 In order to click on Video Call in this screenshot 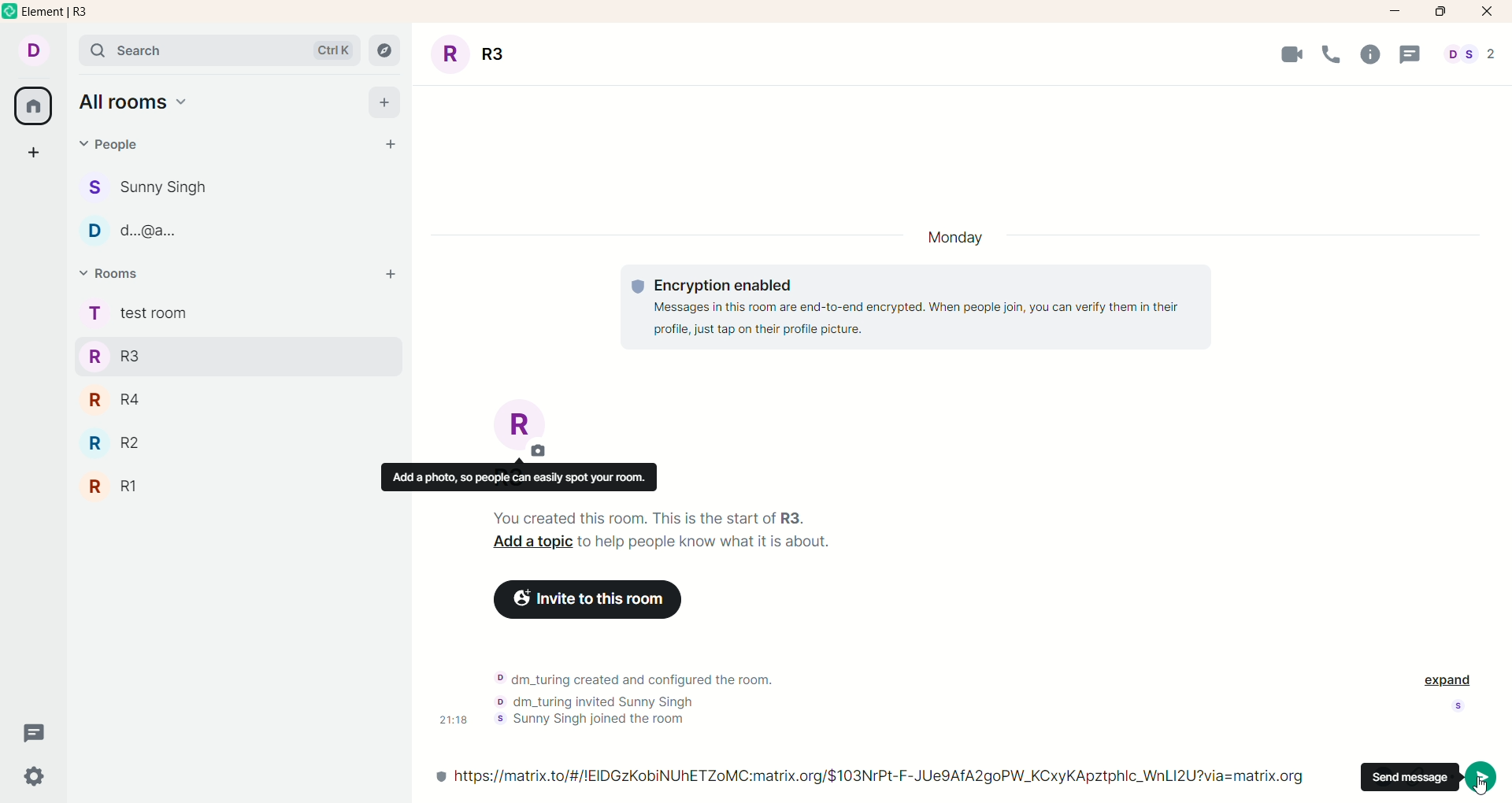, I will do `click(1289, 53)`.